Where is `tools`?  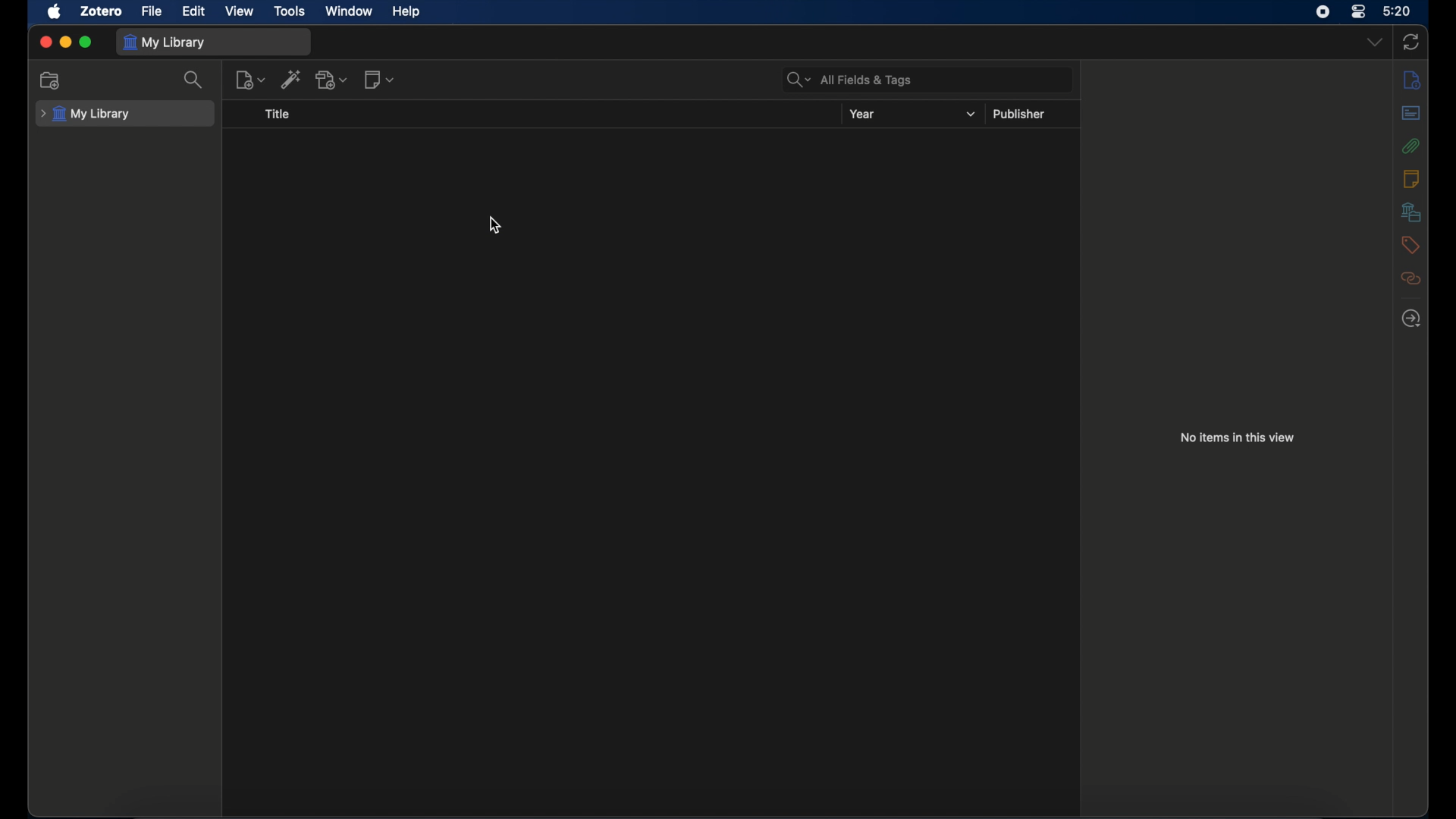
tools is located at coordinates (290, 11).